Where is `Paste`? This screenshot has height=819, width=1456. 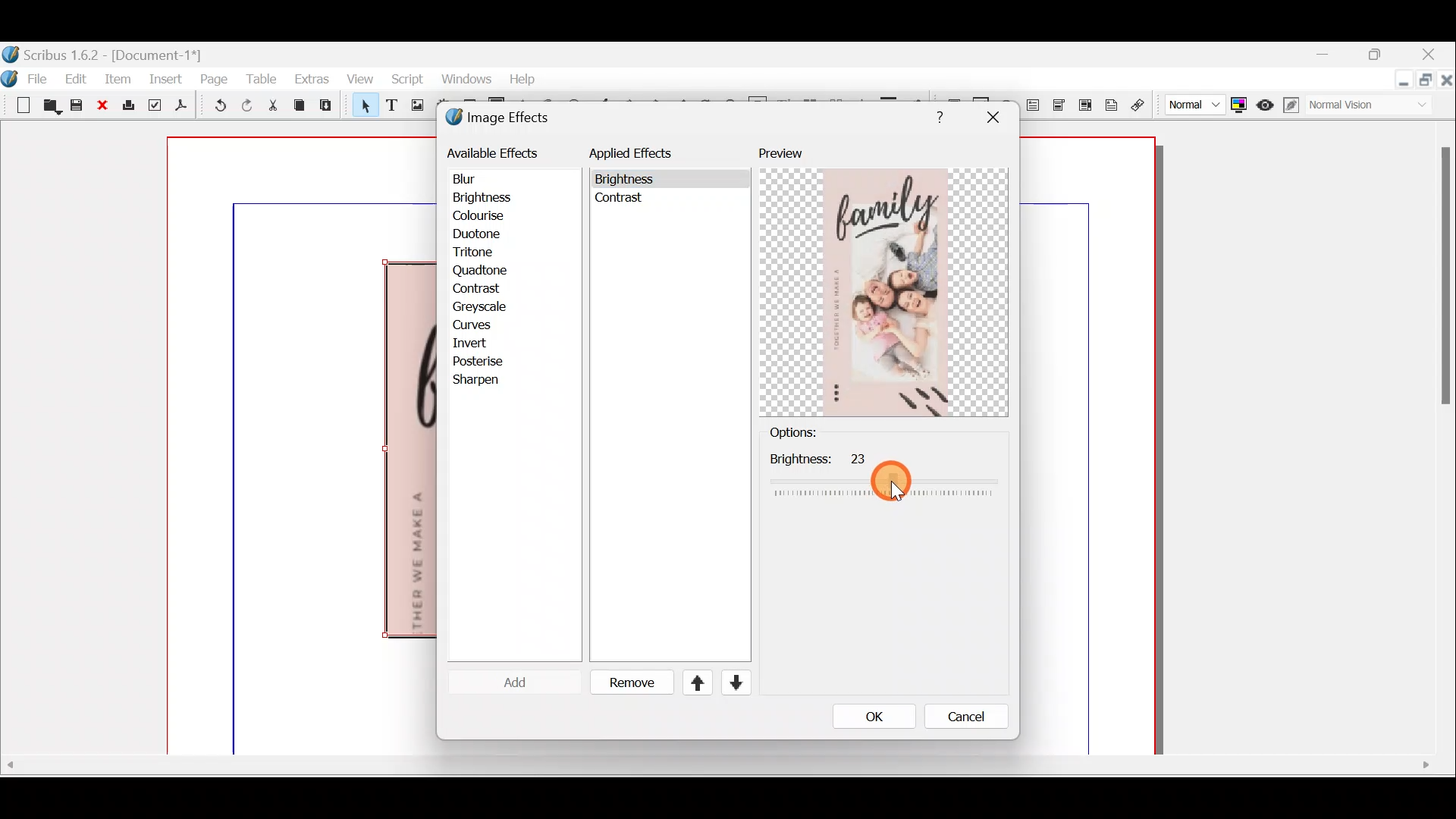
Paste is located at coordinates (329, 107).